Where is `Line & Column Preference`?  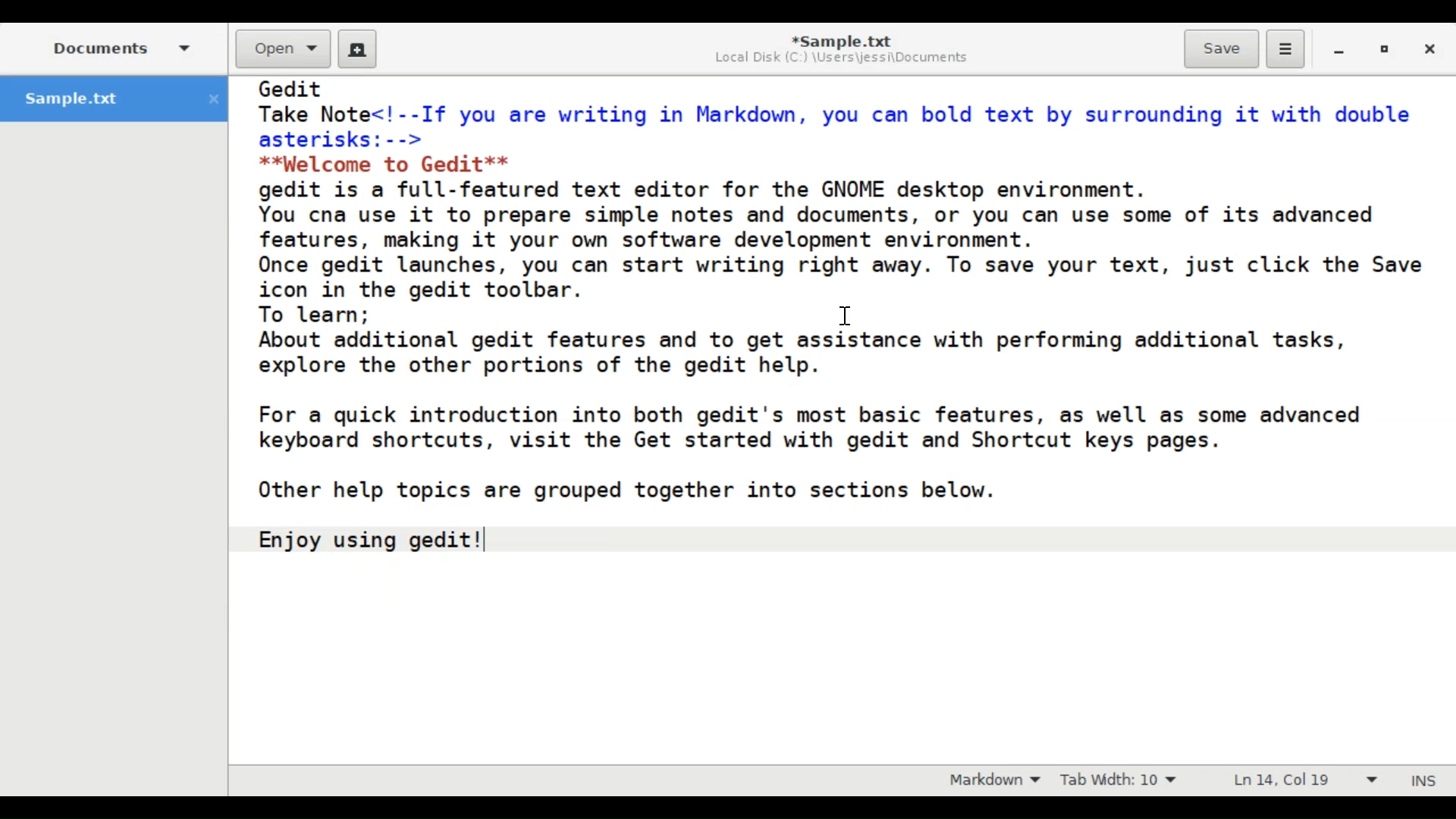 Line & Column Preference is located at coordinates (1303, 780).